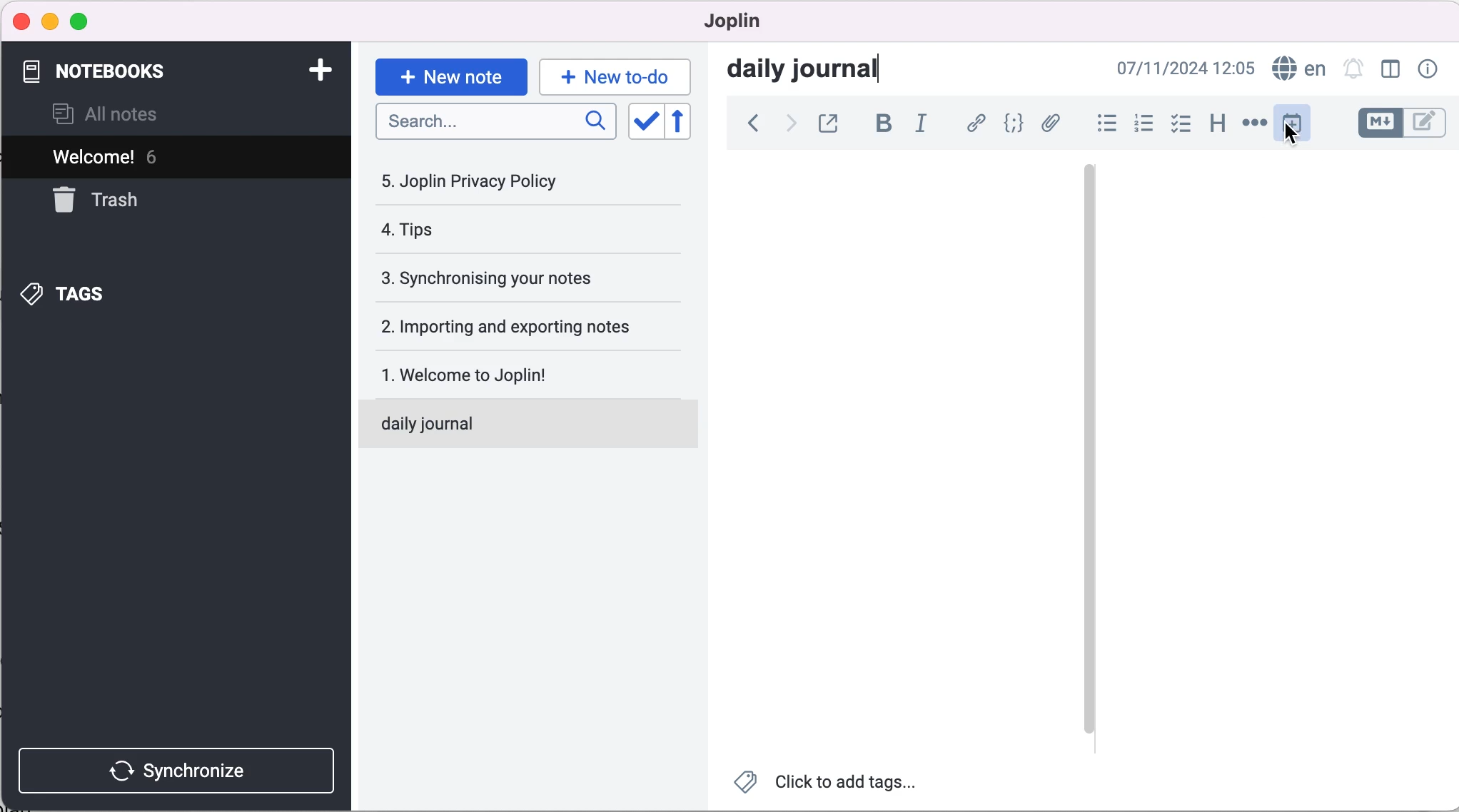  What do you see at coordinates (515, 326) in the screenshot?
I see `importing and exporting notes` at bounding box center [515, 326].